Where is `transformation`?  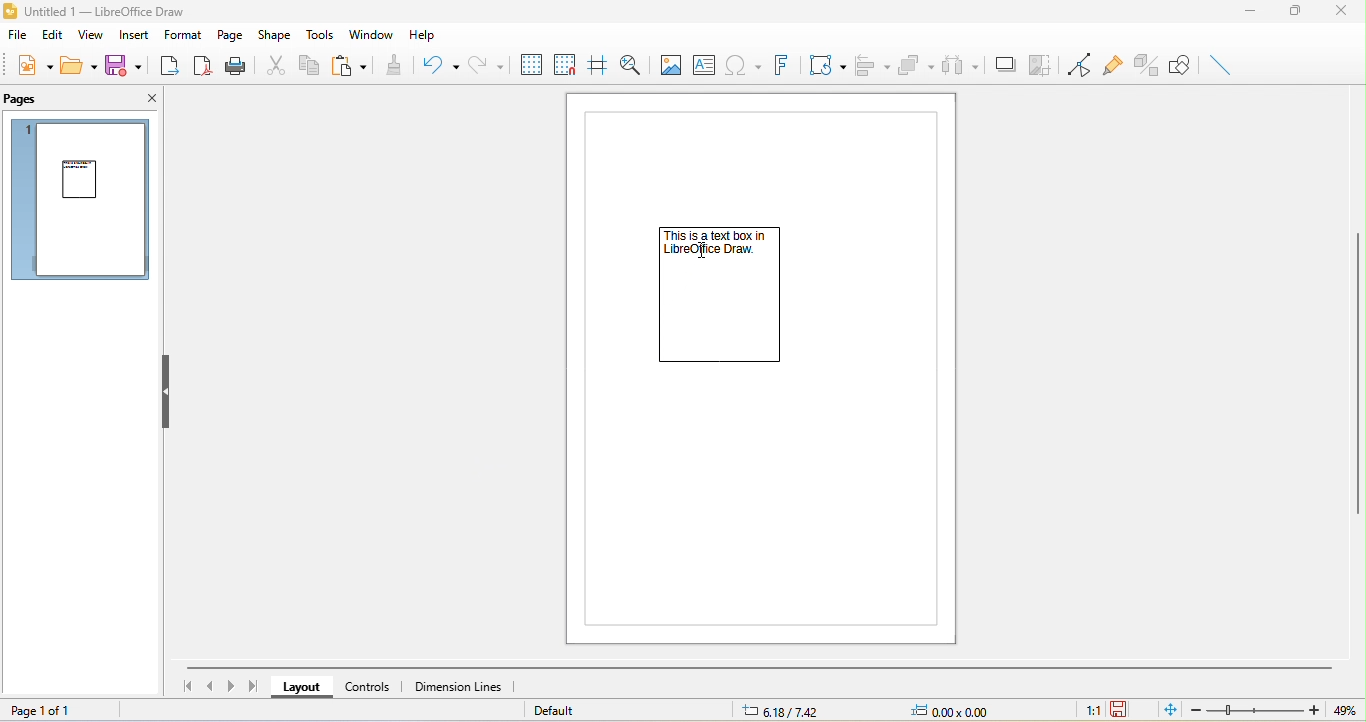
transformation is located at coordinates (822, 67).